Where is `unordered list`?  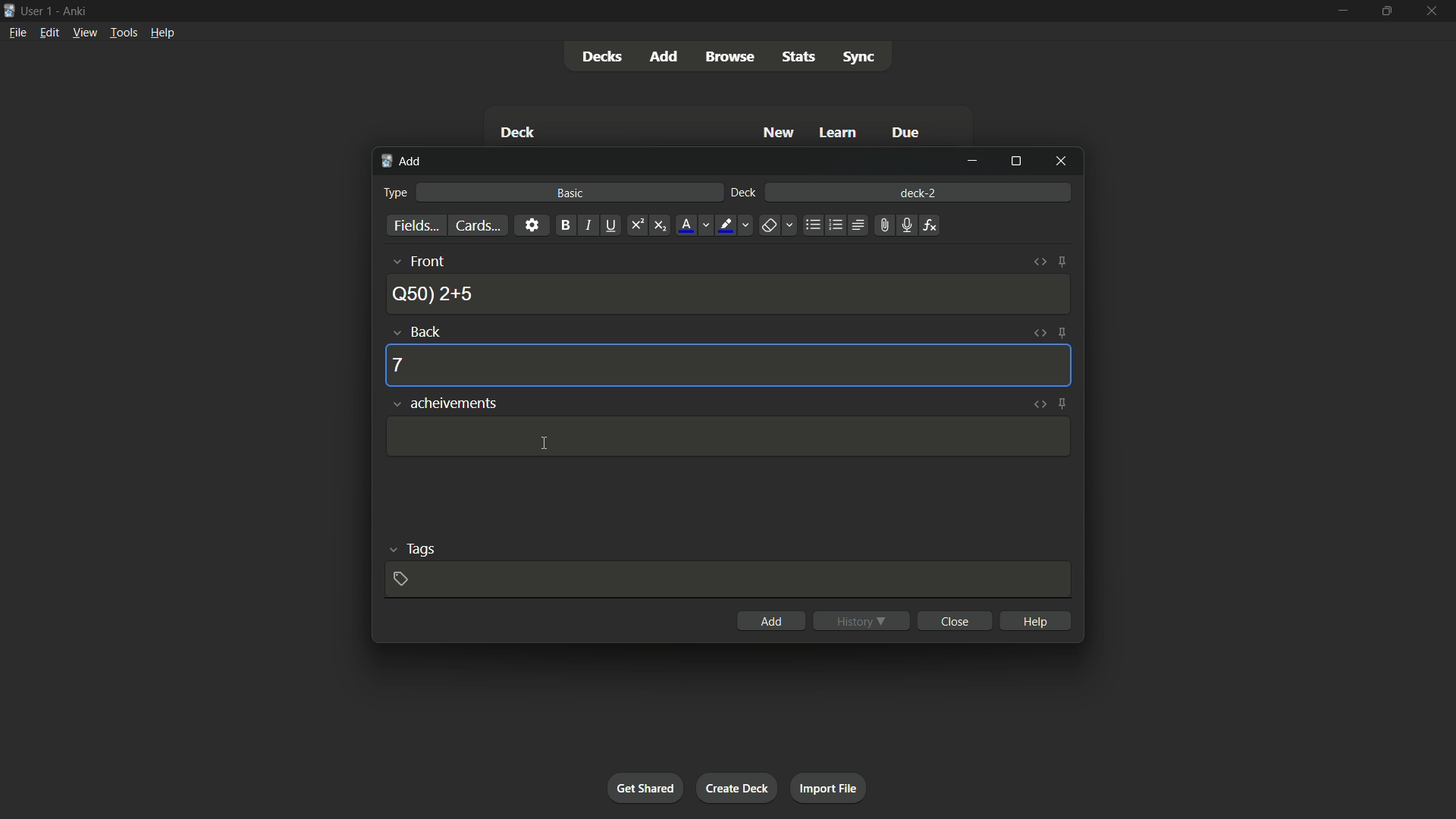 unordered list is located at coordinates (813, 226).